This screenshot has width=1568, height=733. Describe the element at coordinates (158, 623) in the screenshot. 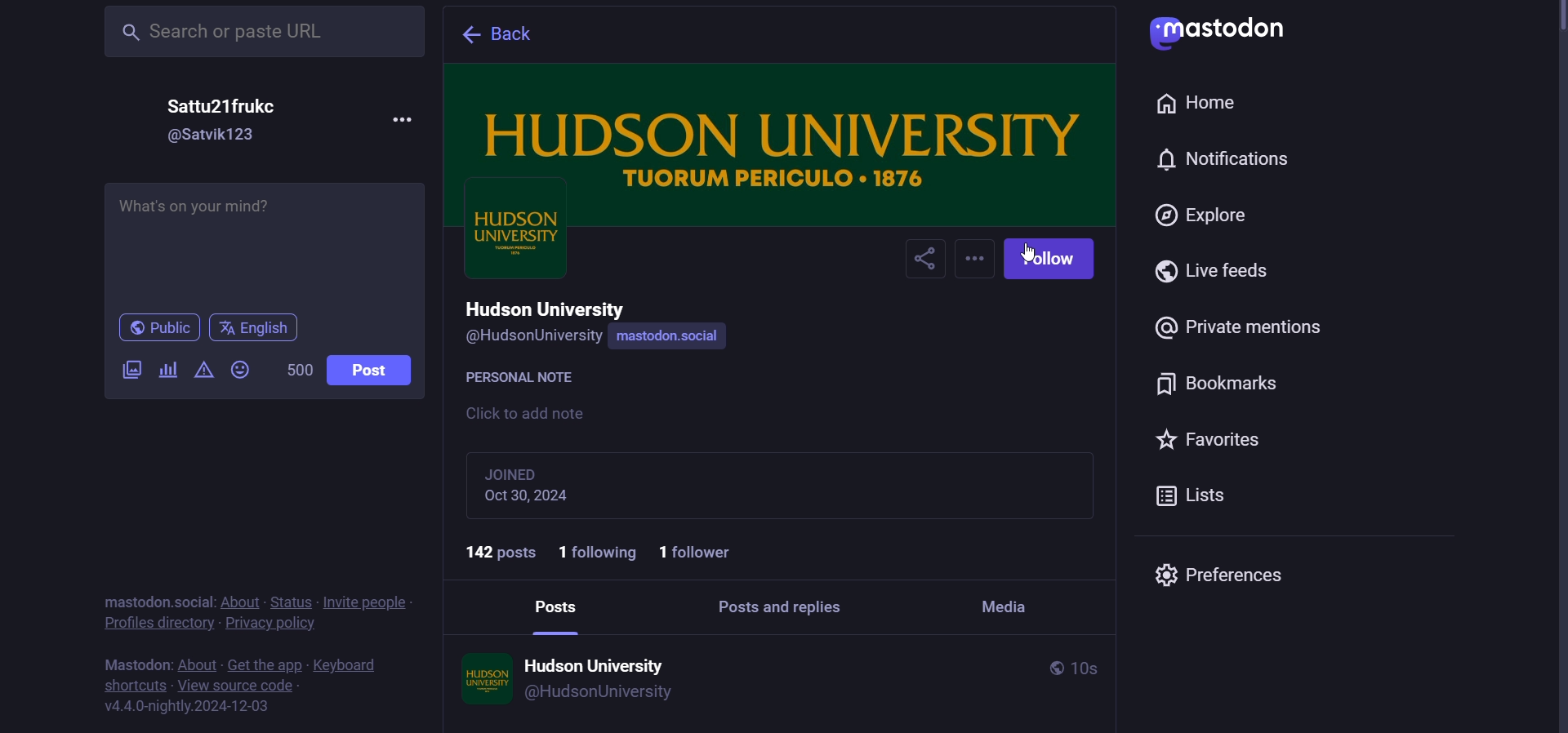

I see `profiles directory` at that location.